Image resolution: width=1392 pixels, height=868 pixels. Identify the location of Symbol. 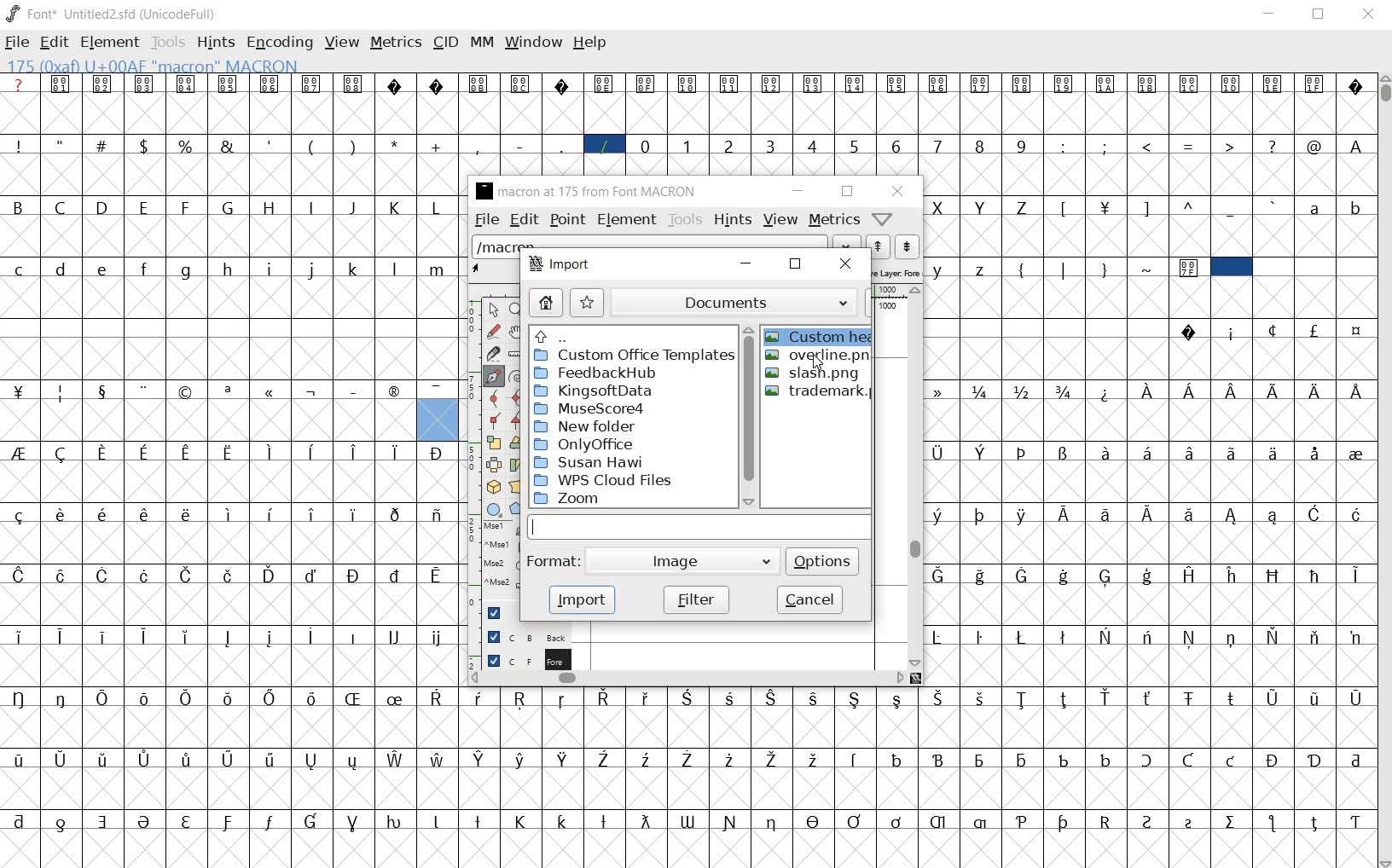
(357, 761).